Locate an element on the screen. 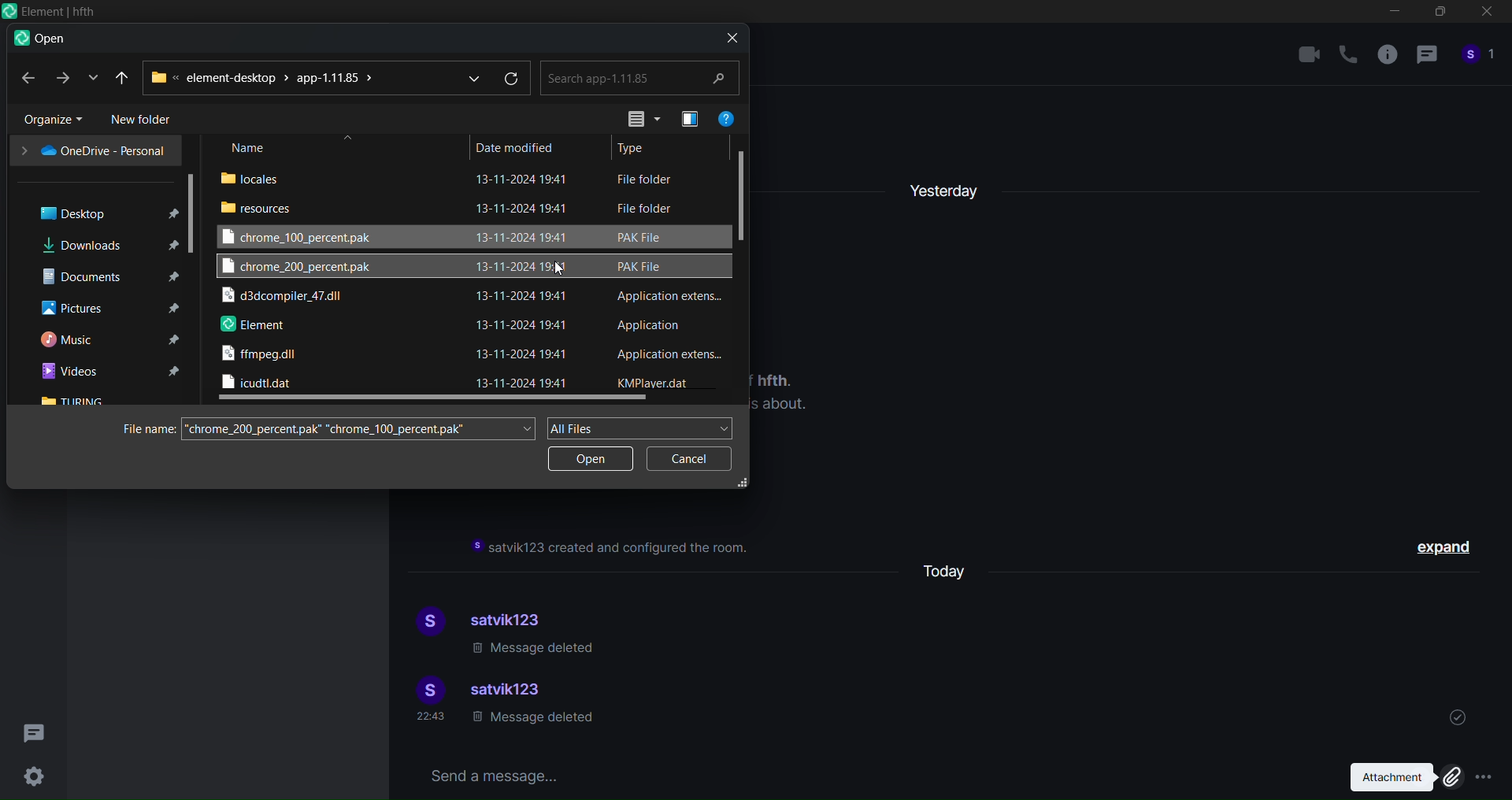 The height and width of the screenshot is (800, 1512). locales is located at coordinates (257, 177).